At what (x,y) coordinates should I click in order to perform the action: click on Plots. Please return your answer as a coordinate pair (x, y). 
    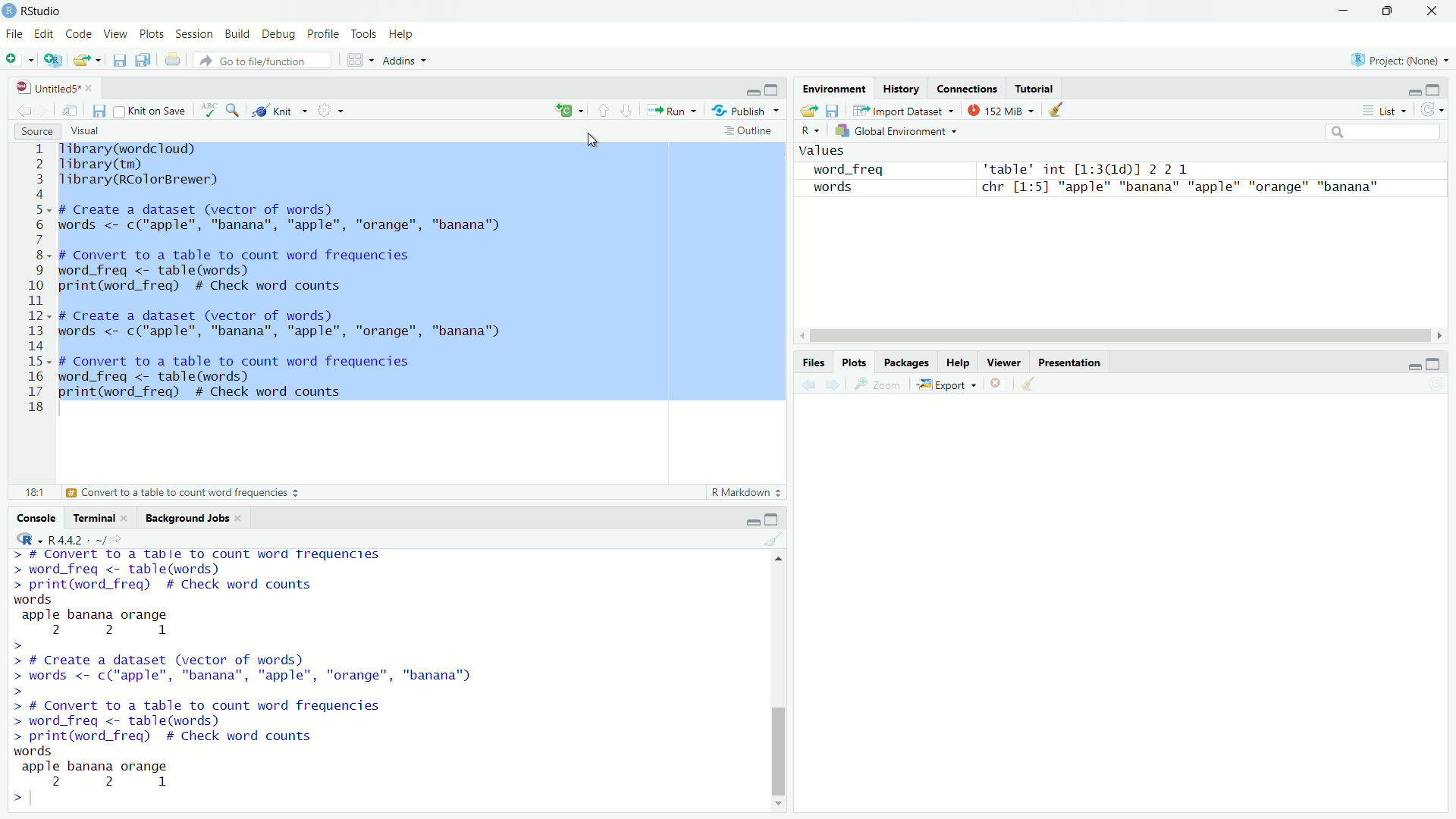
    Looking at the image, I should click on (855, 362).